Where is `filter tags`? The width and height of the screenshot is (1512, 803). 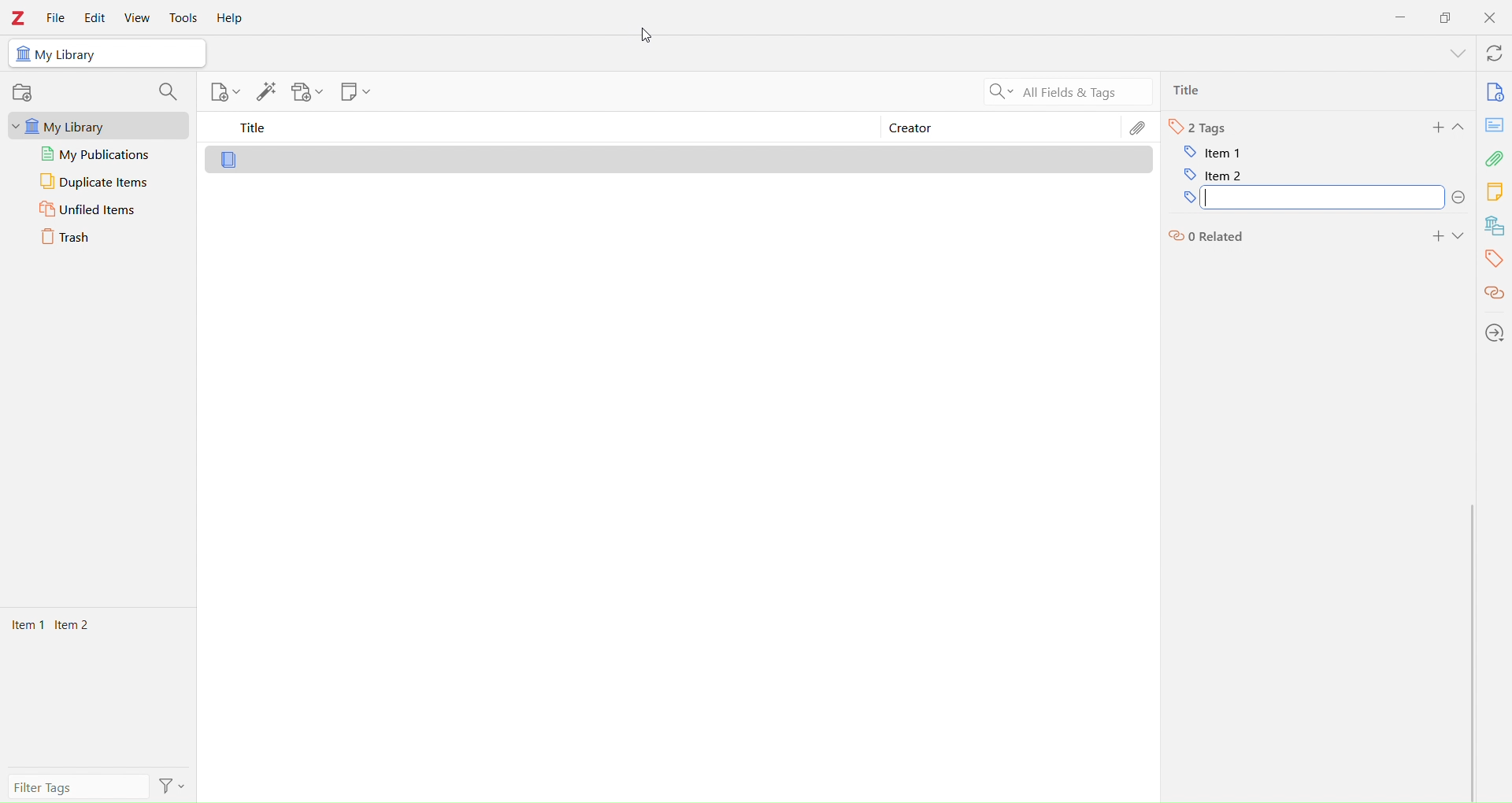
filter tags is located at coordinates (93, 784).